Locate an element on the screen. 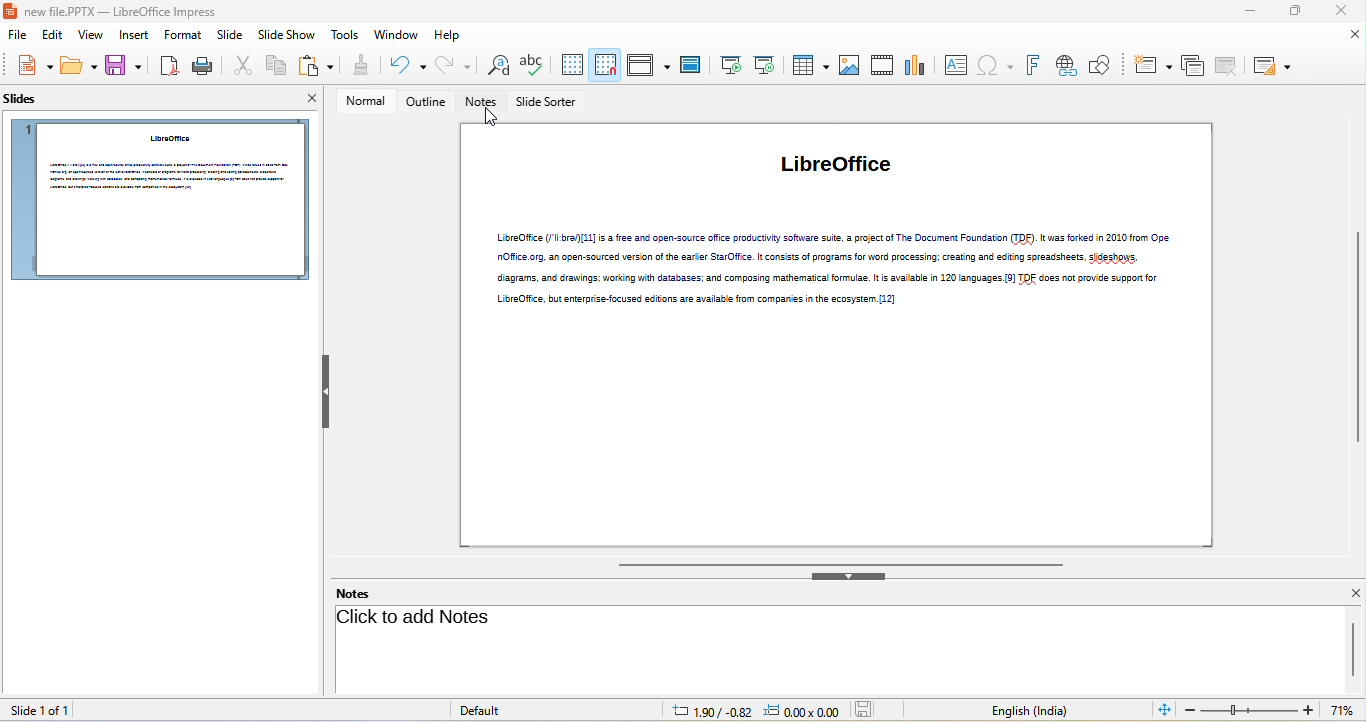 Image resolution: width=1366 pixels, height=722 pixels. open is located at coordinates (80, 67).